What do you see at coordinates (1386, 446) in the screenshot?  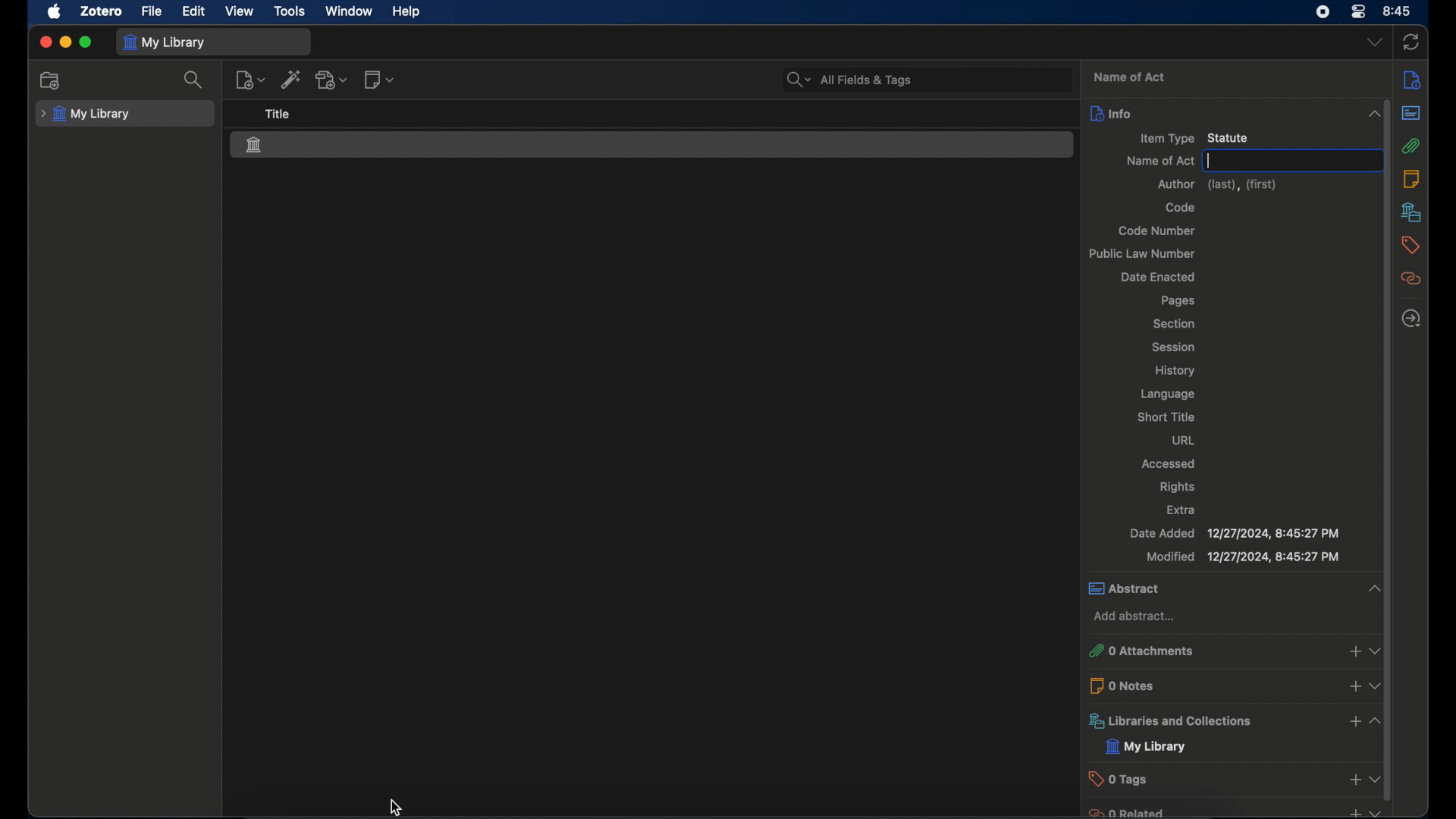 I see `vertical scrollbar` at bounding box center [1386, 446].